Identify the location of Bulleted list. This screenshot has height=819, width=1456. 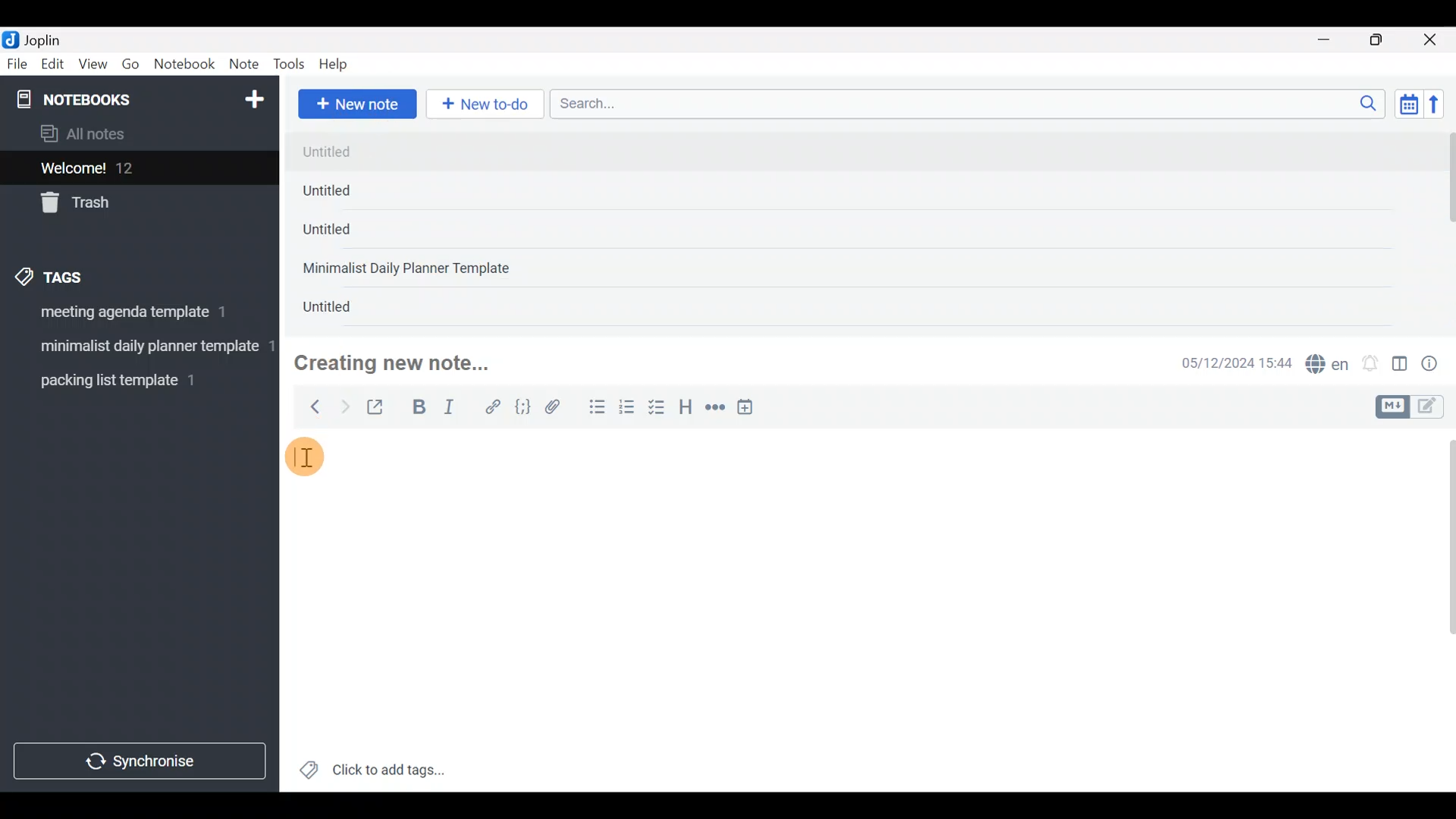
(594, 408).